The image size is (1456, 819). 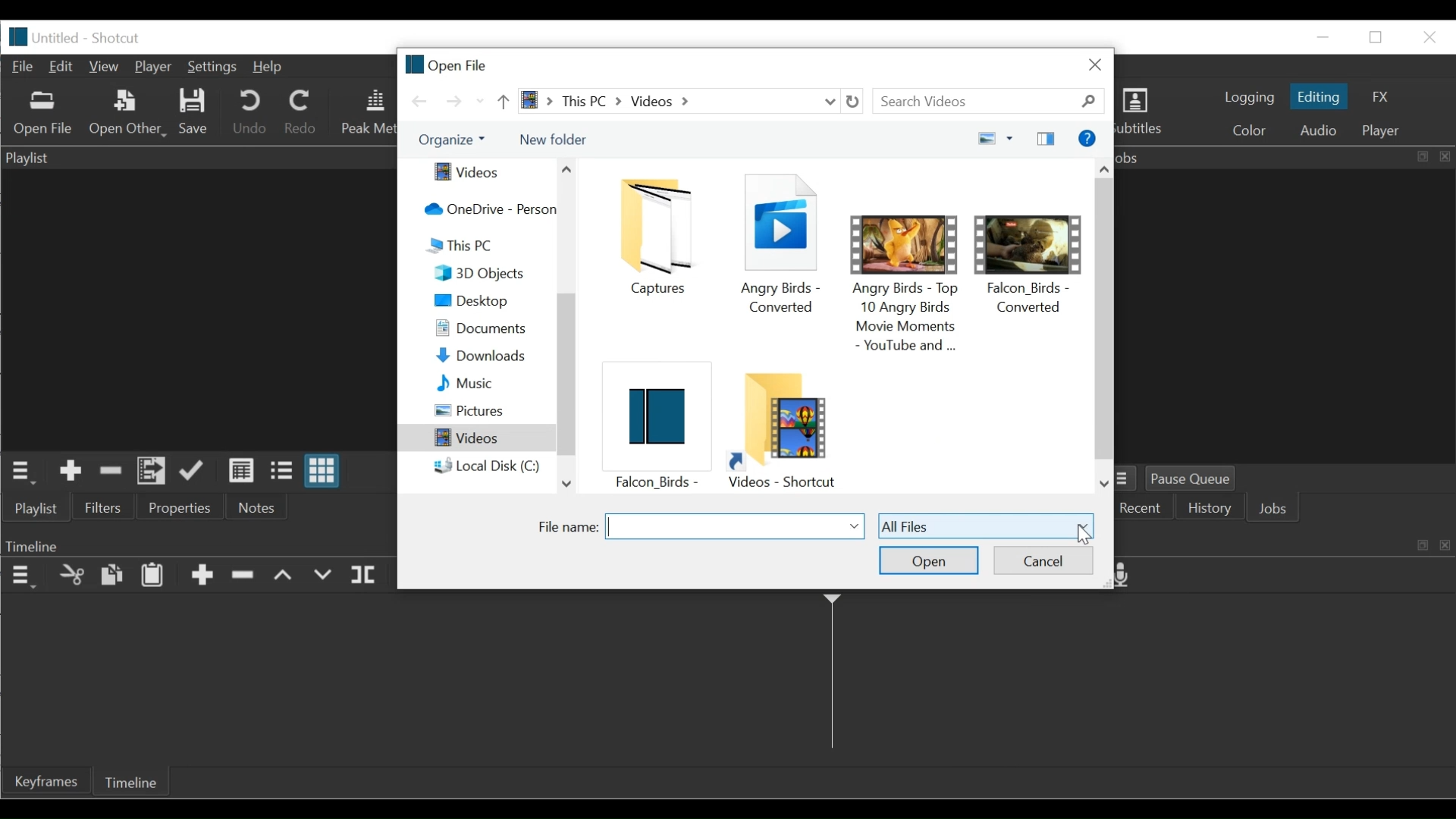 I want to click on This PC, so click(x=485, y=246).